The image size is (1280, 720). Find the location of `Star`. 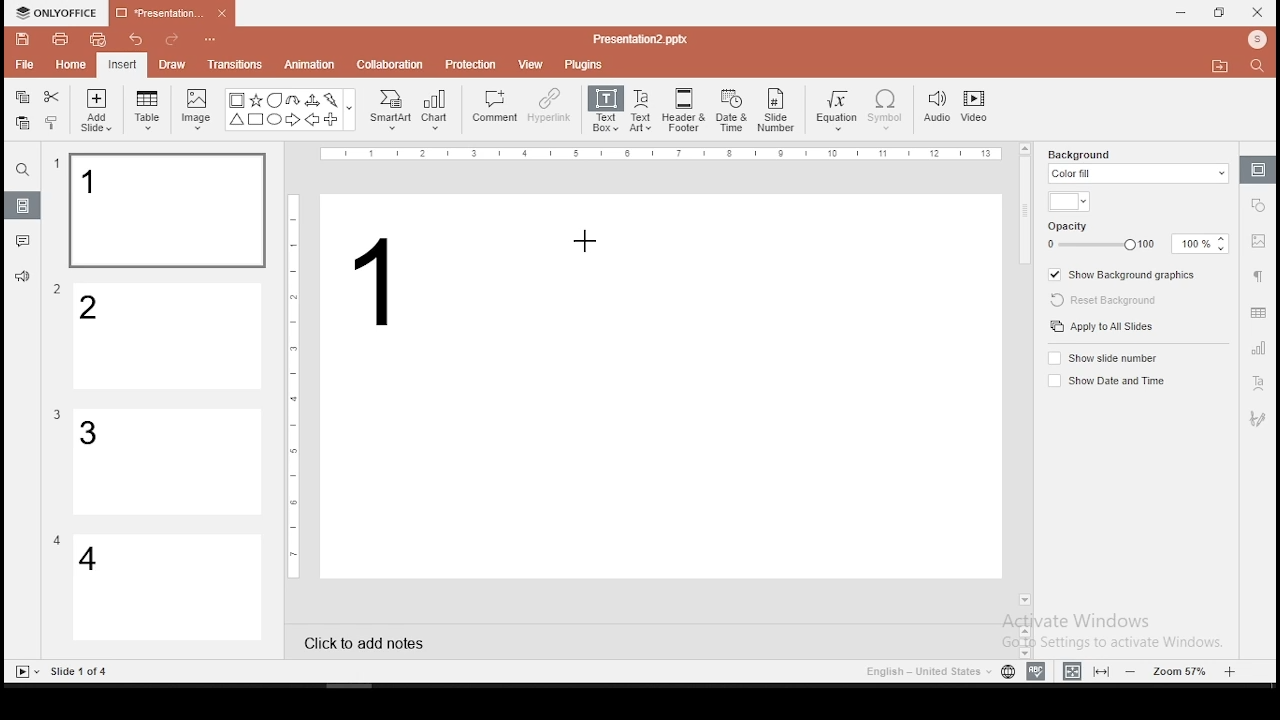

Star is located at coordinates (255, 100).